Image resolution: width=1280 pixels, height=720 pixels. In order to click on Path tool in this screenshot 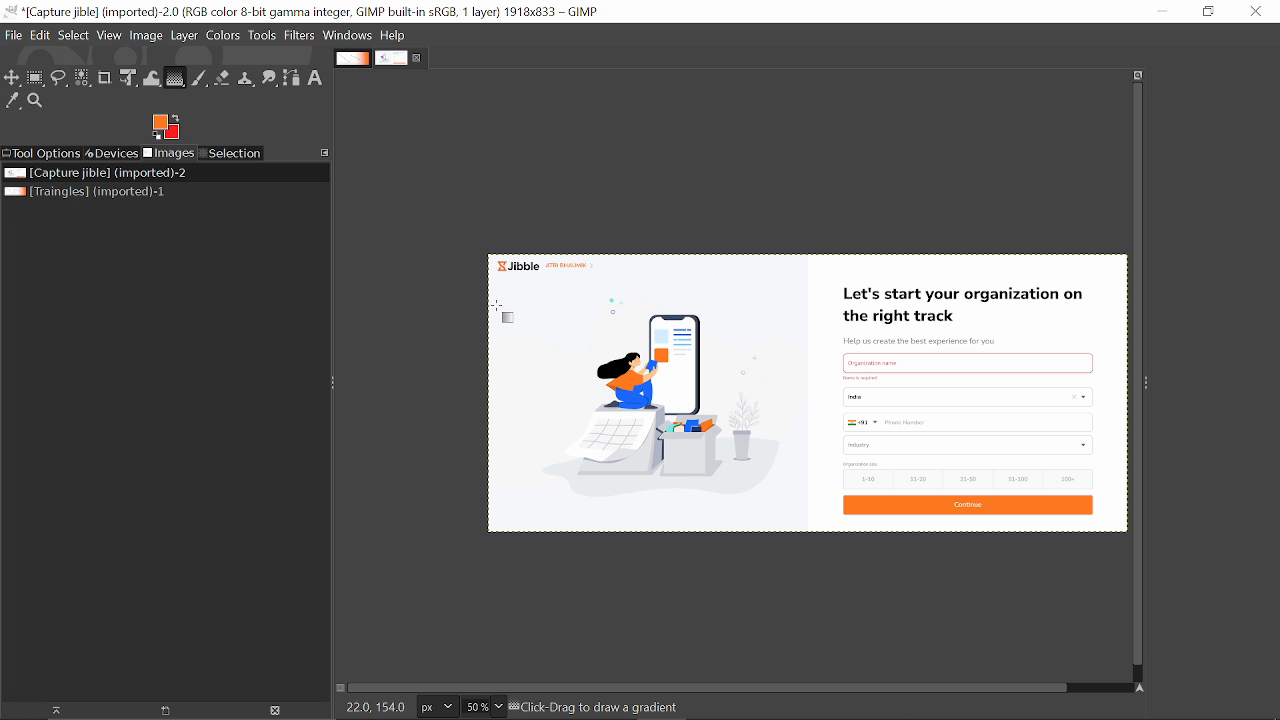, I will do `click(291, 78)`.